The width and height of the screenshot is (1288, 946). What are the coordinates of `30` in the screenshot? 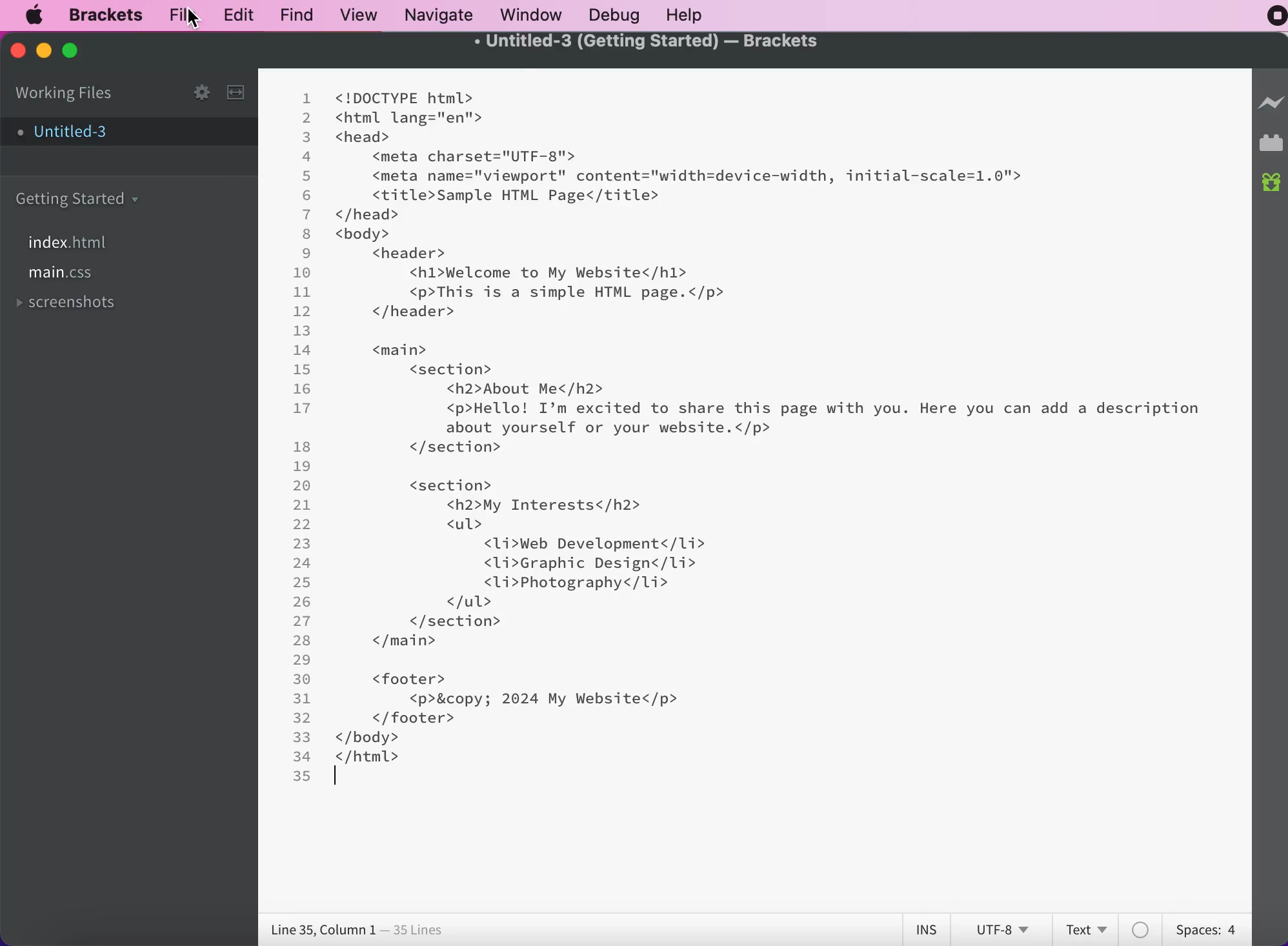 It's located at (302, 679).